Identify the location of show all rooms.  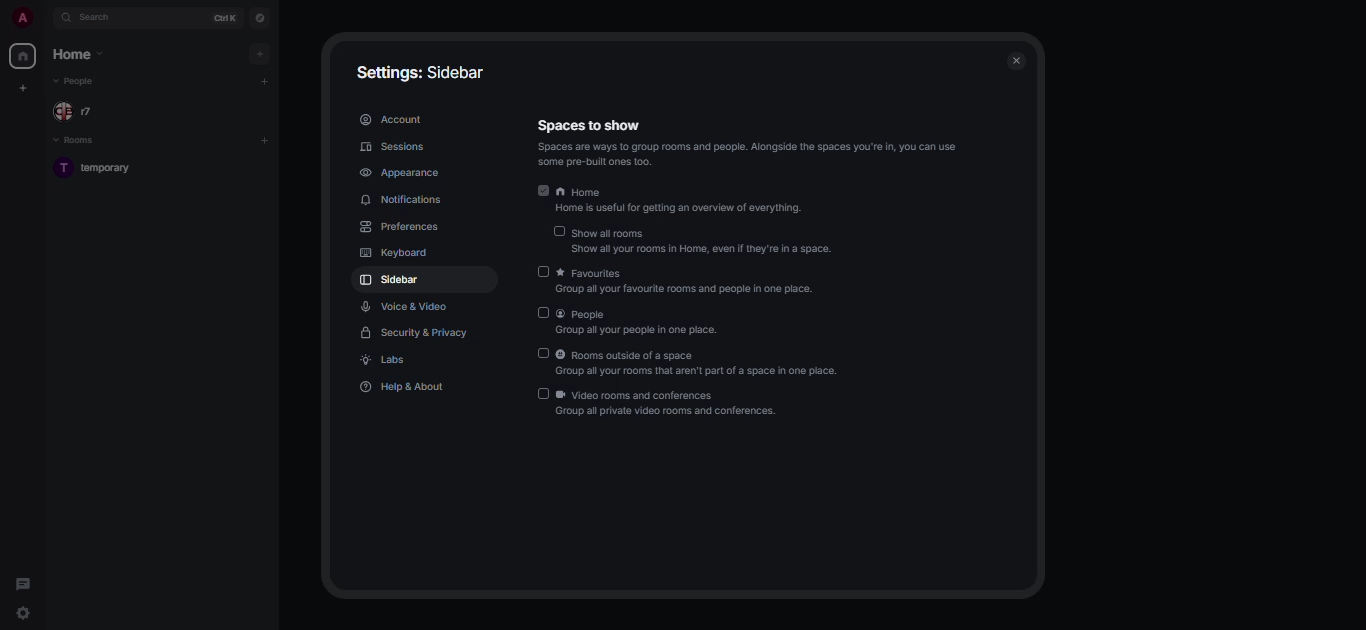
(710, 242).